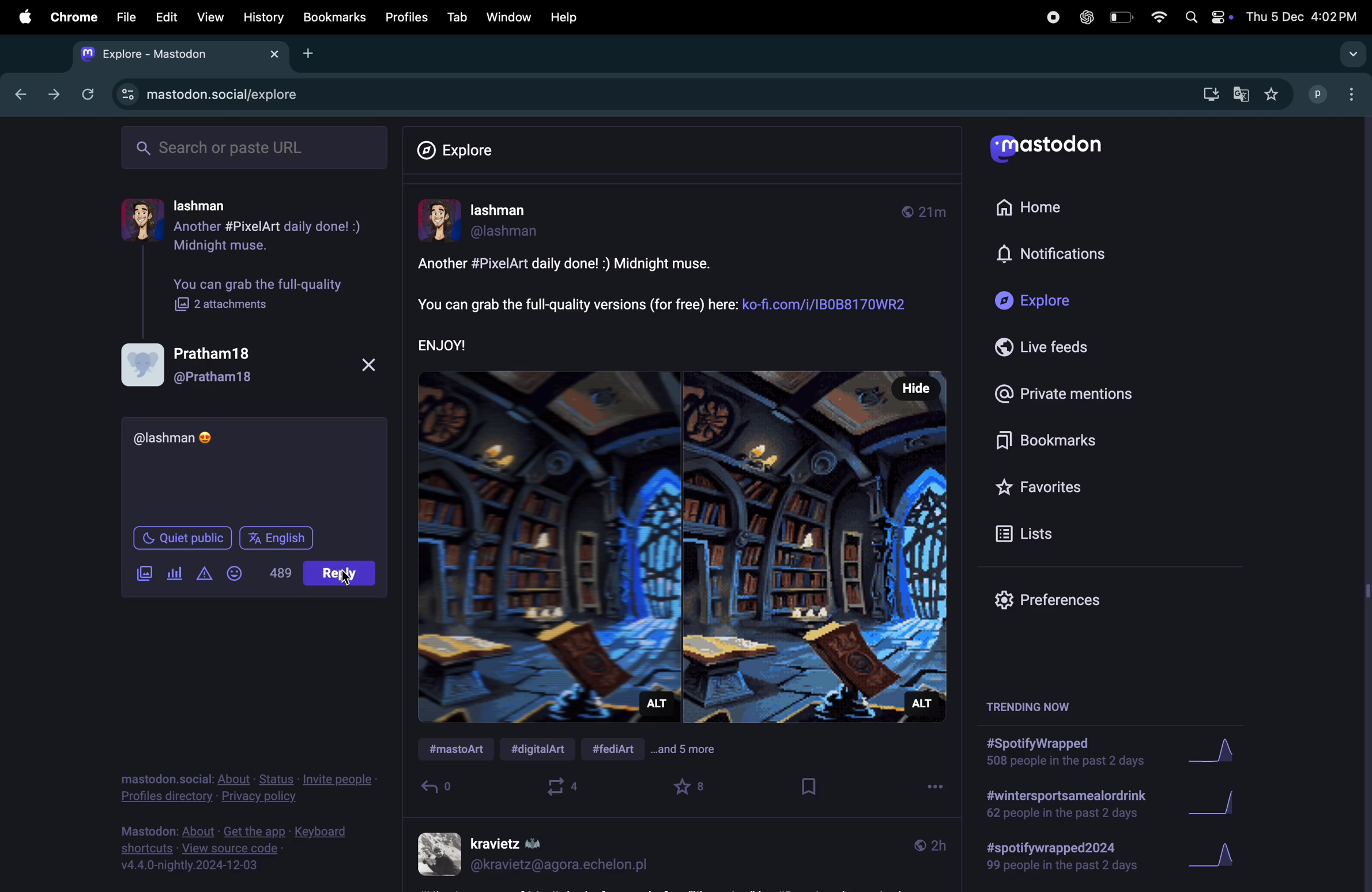  What do you see at coordinates (1046, 485) in the screenshot?
I see `favourites` at bounding box center [1046, 485].